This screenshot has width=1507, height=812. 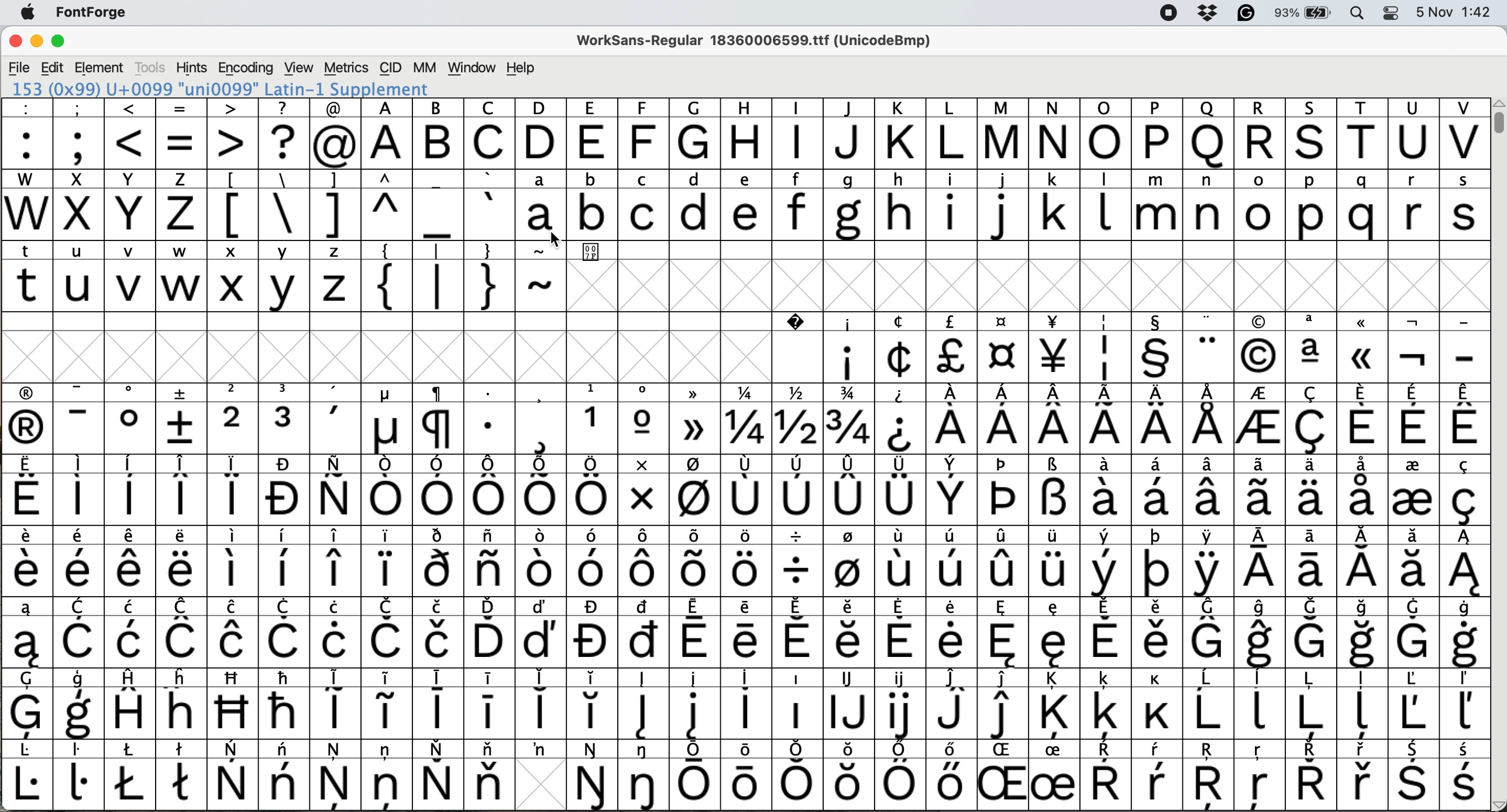 What do you see at coordinates (27, 562) in the screenshot?
I see `symbol` at bounding box center [27, 562].